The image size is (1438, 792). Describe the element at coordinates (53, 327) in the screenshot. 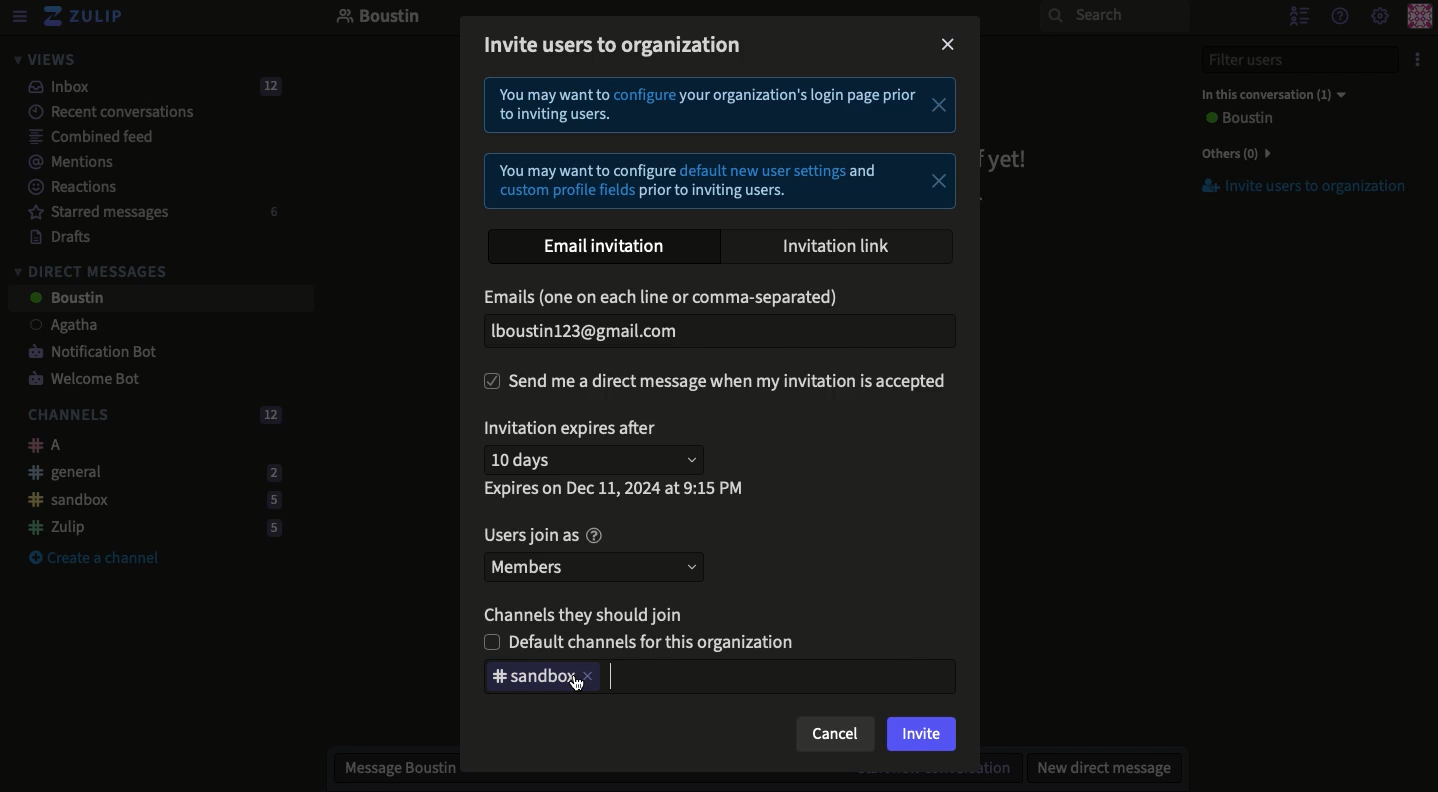

I see `User 1` at that location.